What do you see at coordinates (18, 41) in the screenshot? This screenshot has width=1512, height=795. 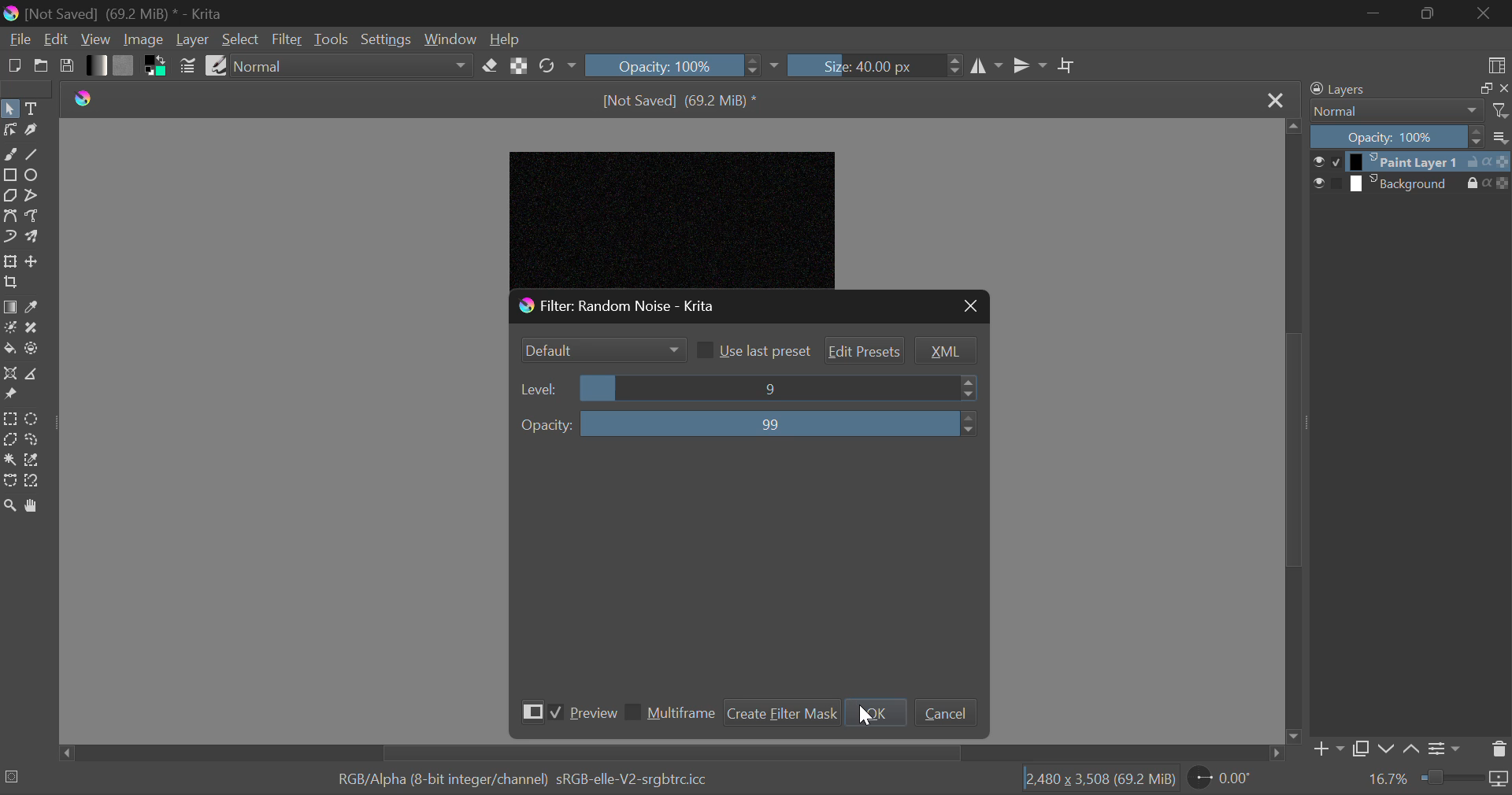 I see `File` at bounding box center [18, 41].